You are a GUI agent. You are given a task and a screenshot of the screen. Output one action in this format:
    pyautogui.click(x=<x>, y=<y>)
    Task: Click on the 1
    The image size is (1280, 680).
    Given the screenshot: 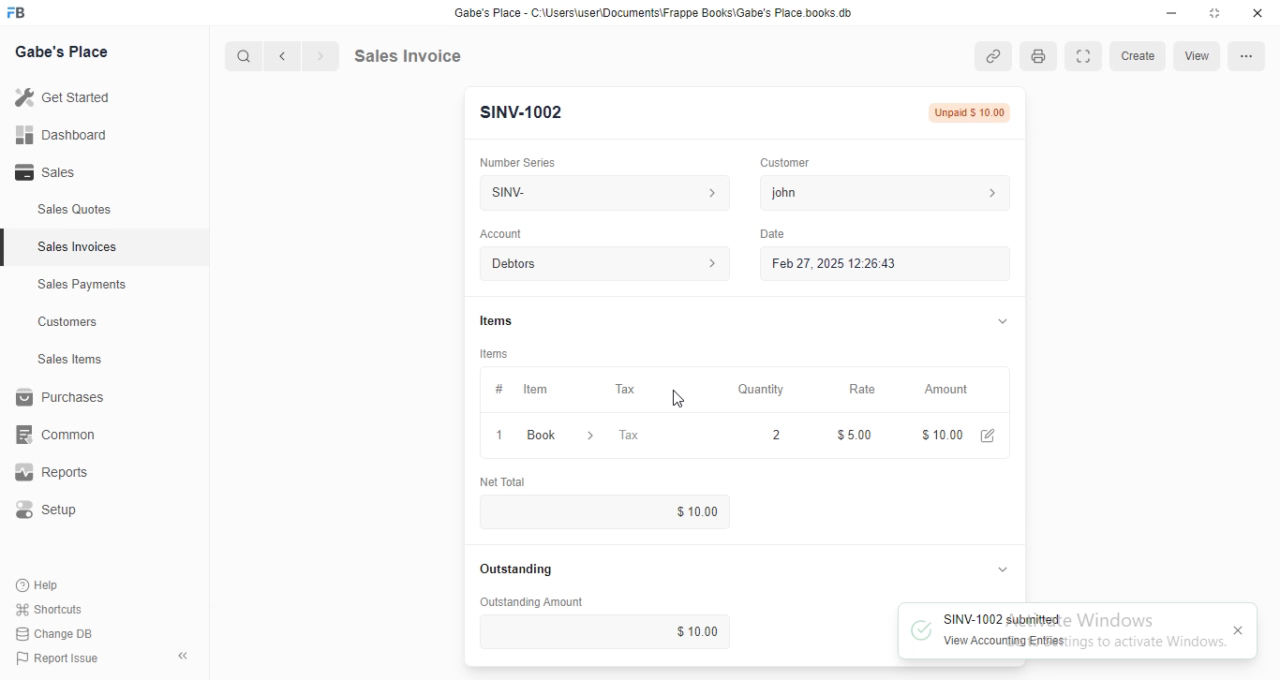 What is the action you would take?
    pyautogui.click(x=502, y=433)
    